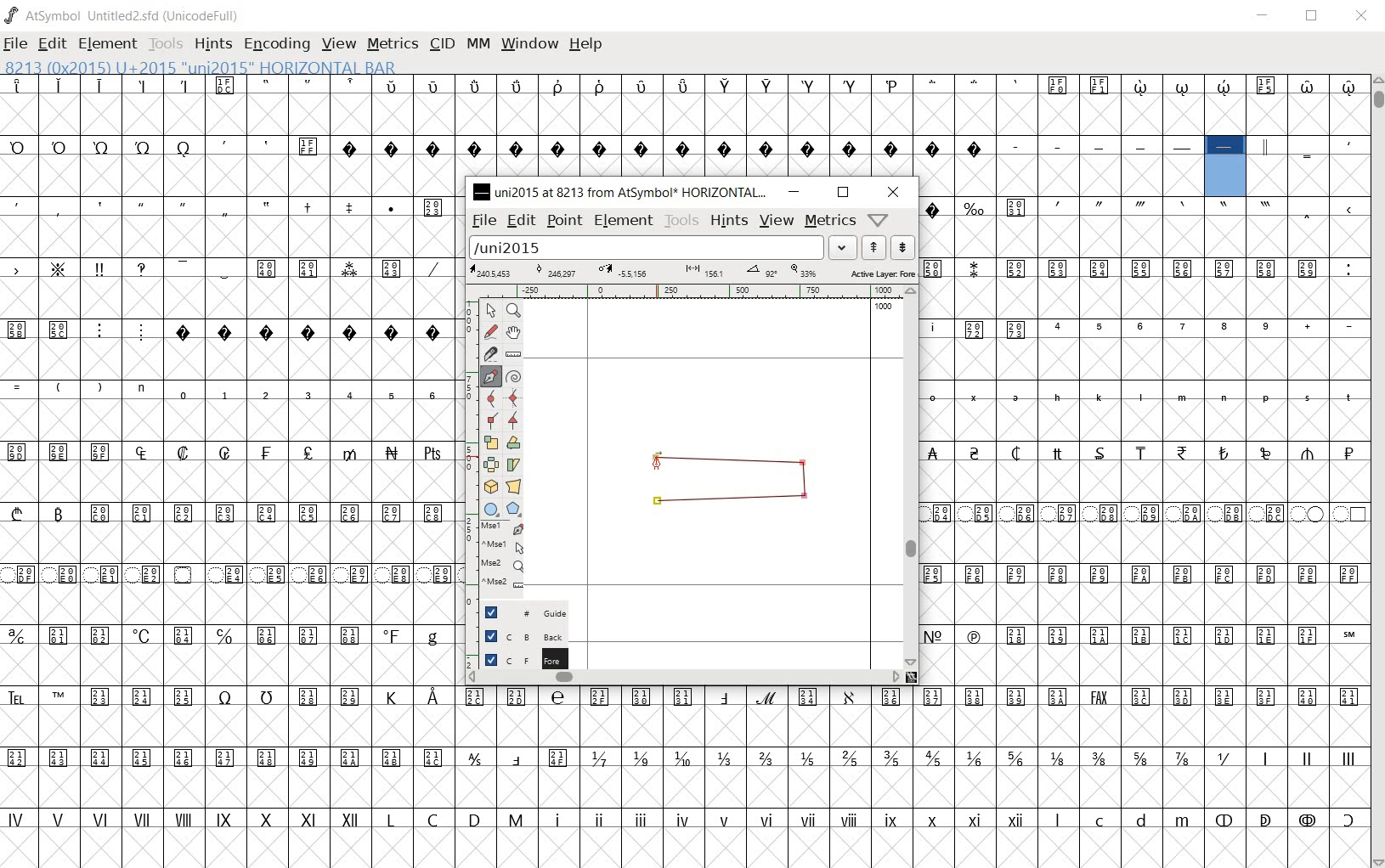 This screenshot has height=868, width=1385. What do you see at coordinates (490, 398) in the screenshot?
I see `add a curve point` at bounding box center [490, 398].